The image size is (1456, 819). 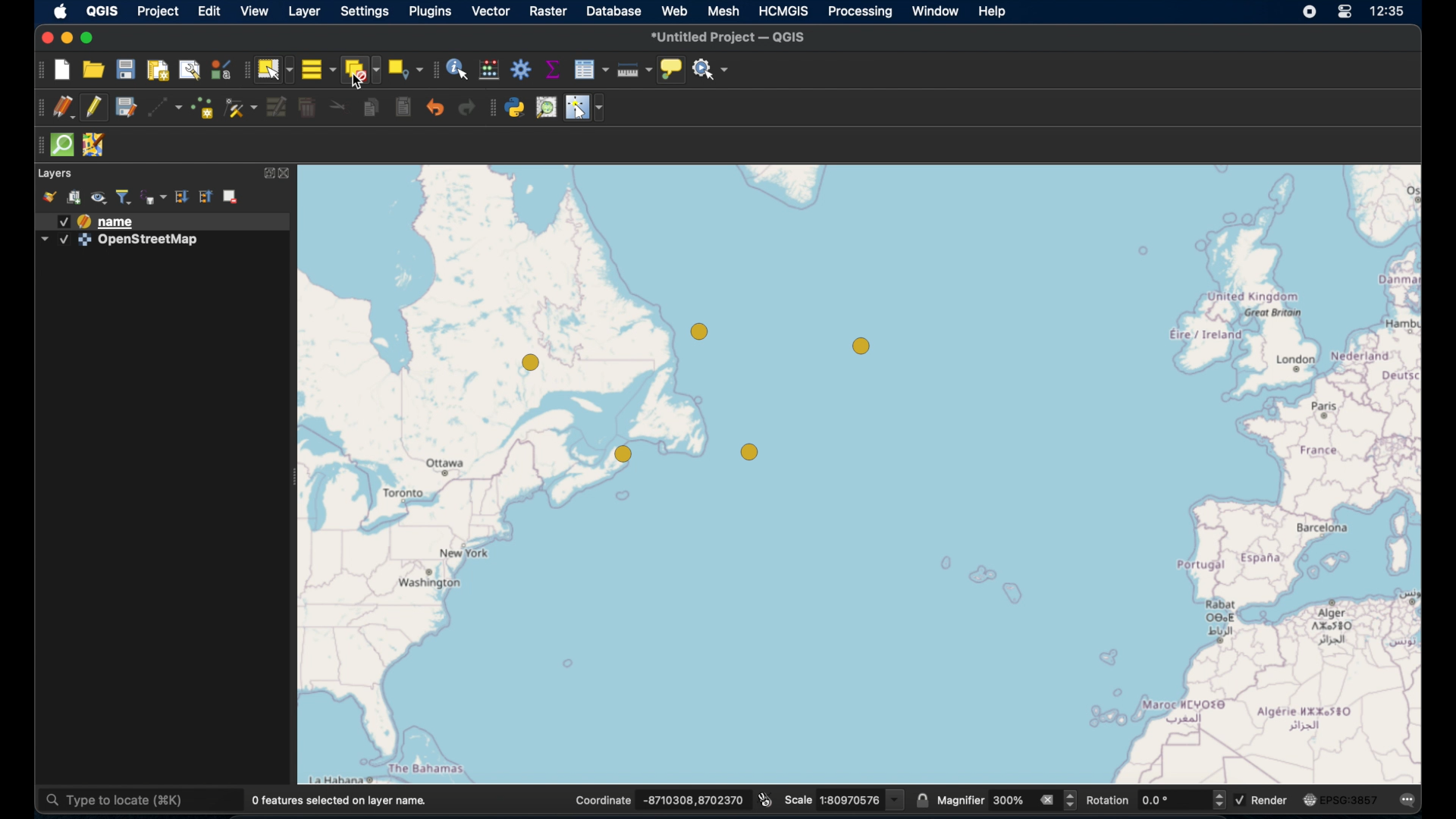 What do you see at coordinates (783, 11) in the screenshot?
I see `HCMGIS` at bounding box center [783, 11].